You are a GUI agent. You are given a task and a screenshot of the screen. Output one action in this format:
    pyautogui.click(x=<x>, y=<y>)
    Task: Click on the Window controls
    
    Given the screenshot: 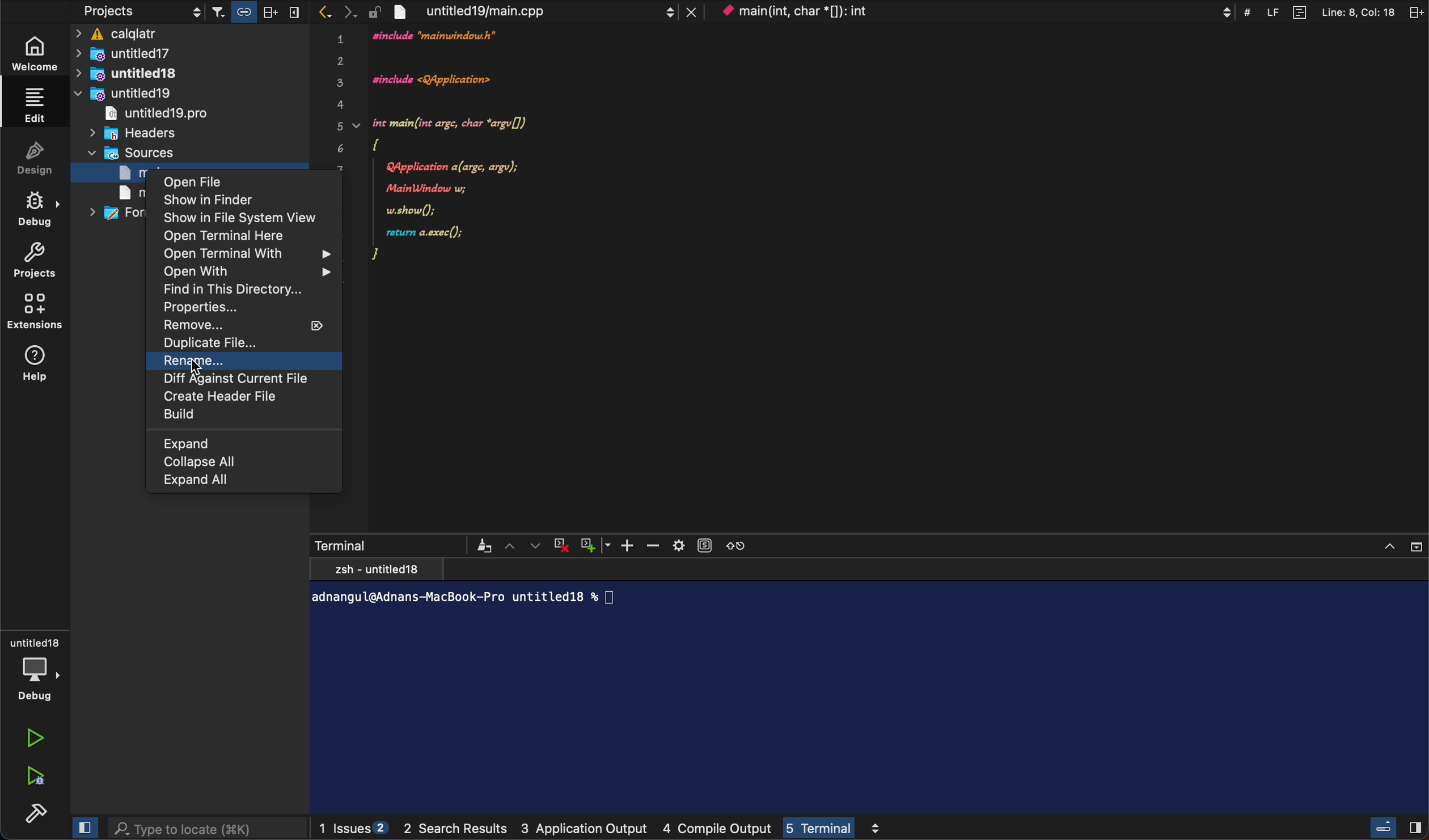 What is the action you would take?
    pyautogui.click(x=1401, y=545)
    